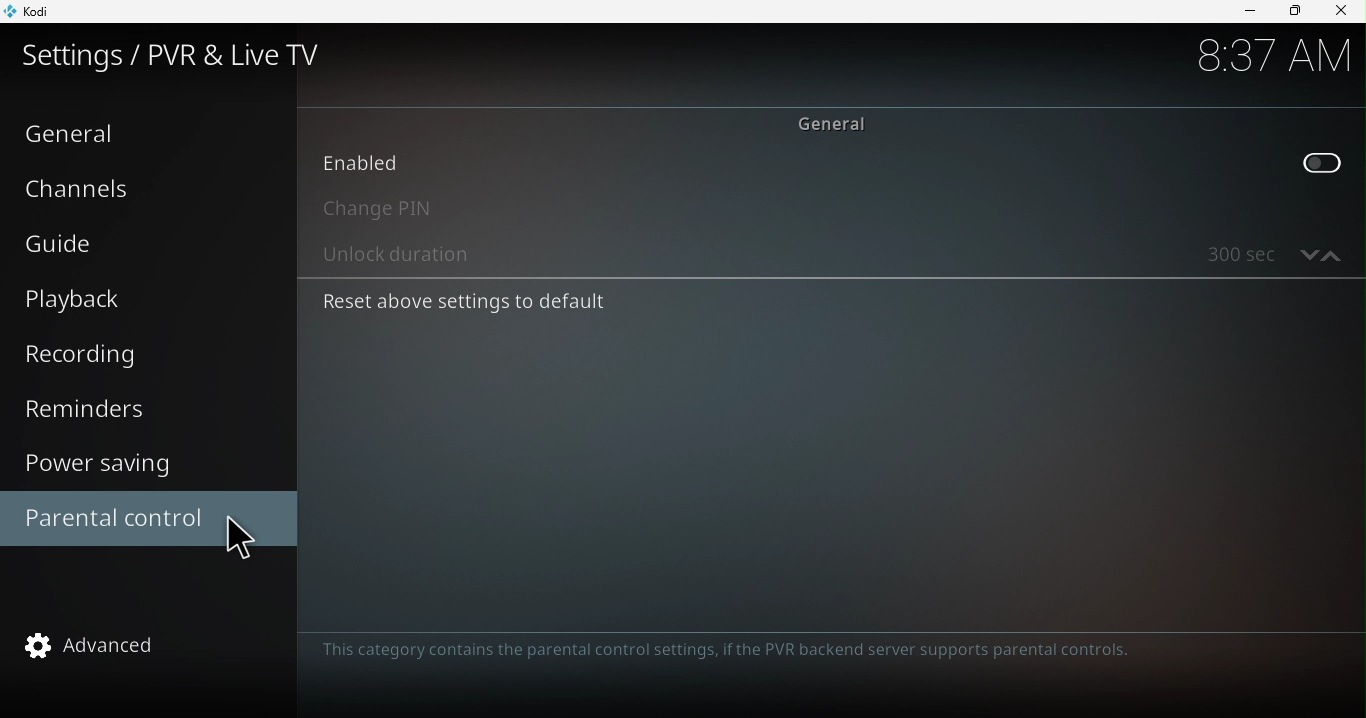  What do you see at coordinates (245, 540) in the screenshot?
I see `cursor` at bounding box center [245, 540].